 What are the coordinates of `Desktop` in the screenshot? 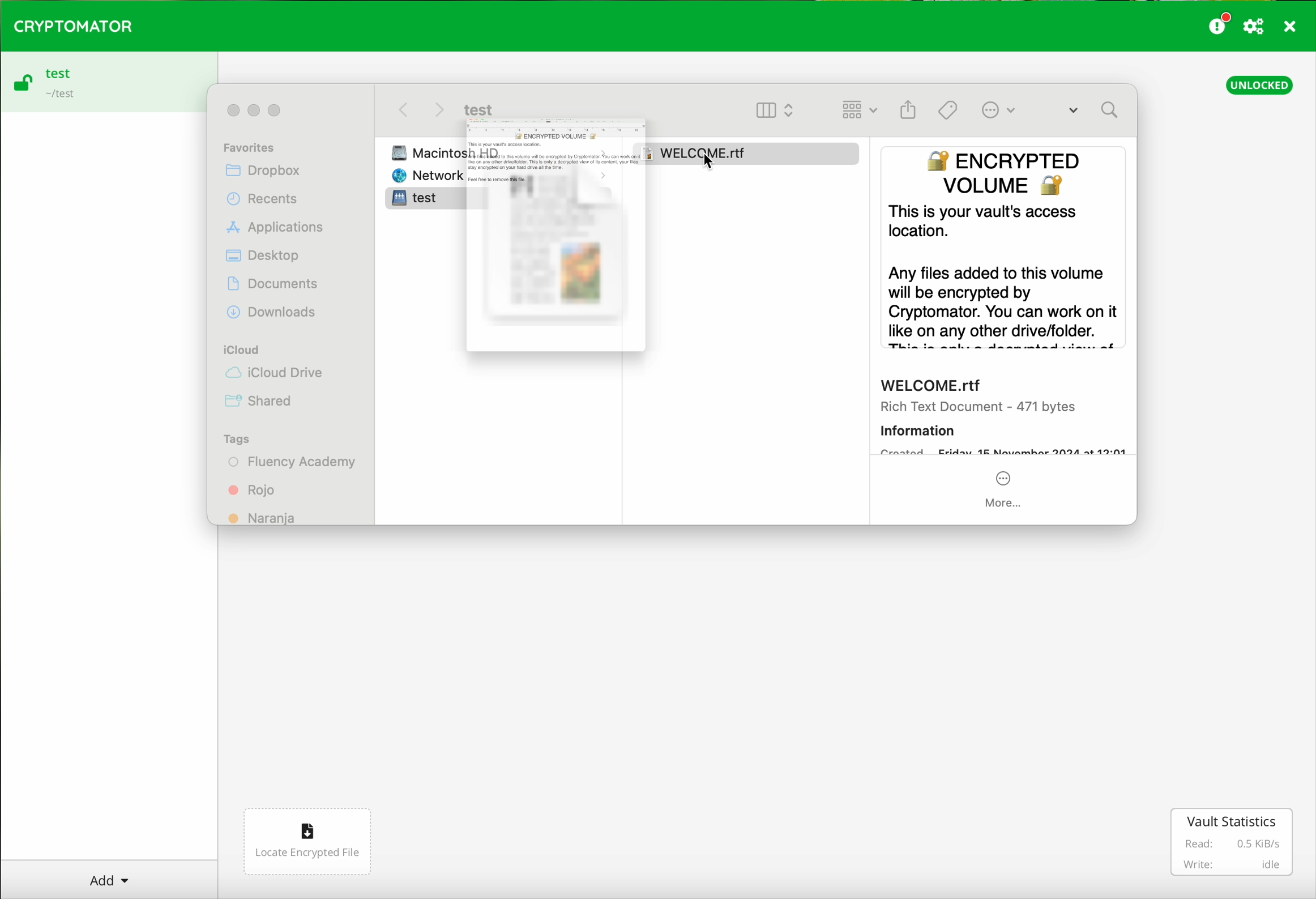 It's located at (263, 254).